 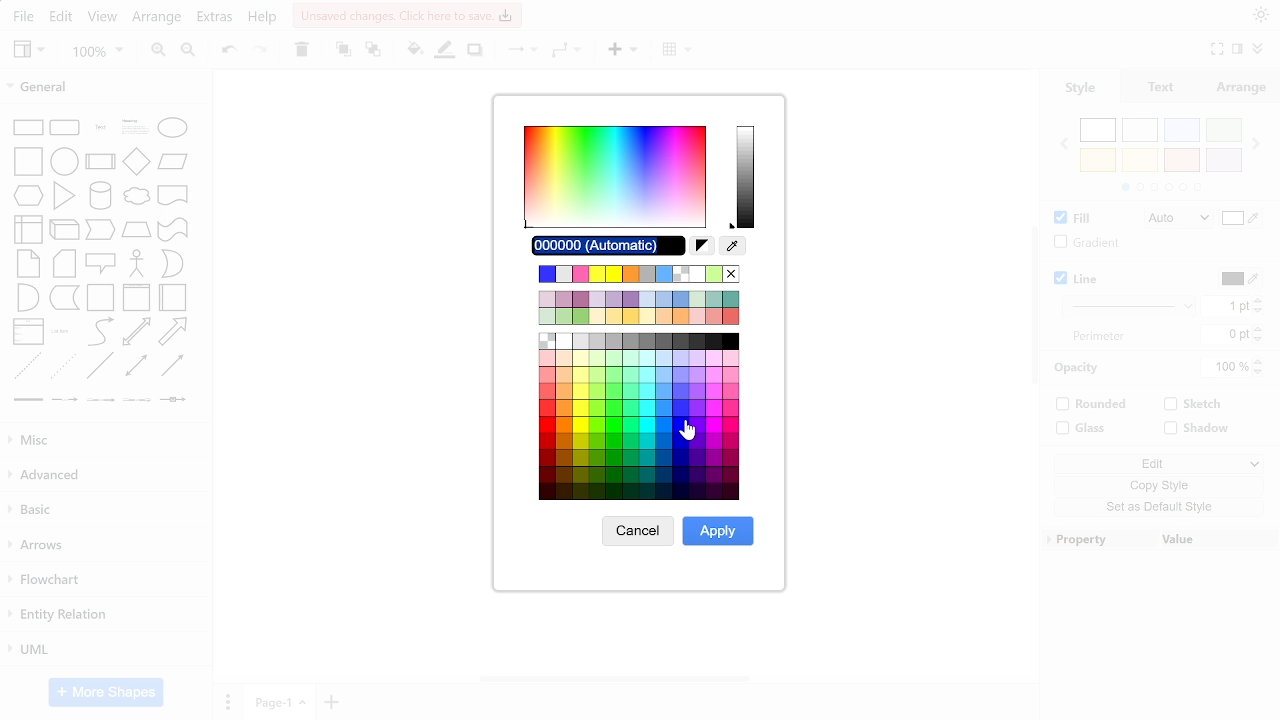 I want to click on arrange, so click(x=156, y=20).